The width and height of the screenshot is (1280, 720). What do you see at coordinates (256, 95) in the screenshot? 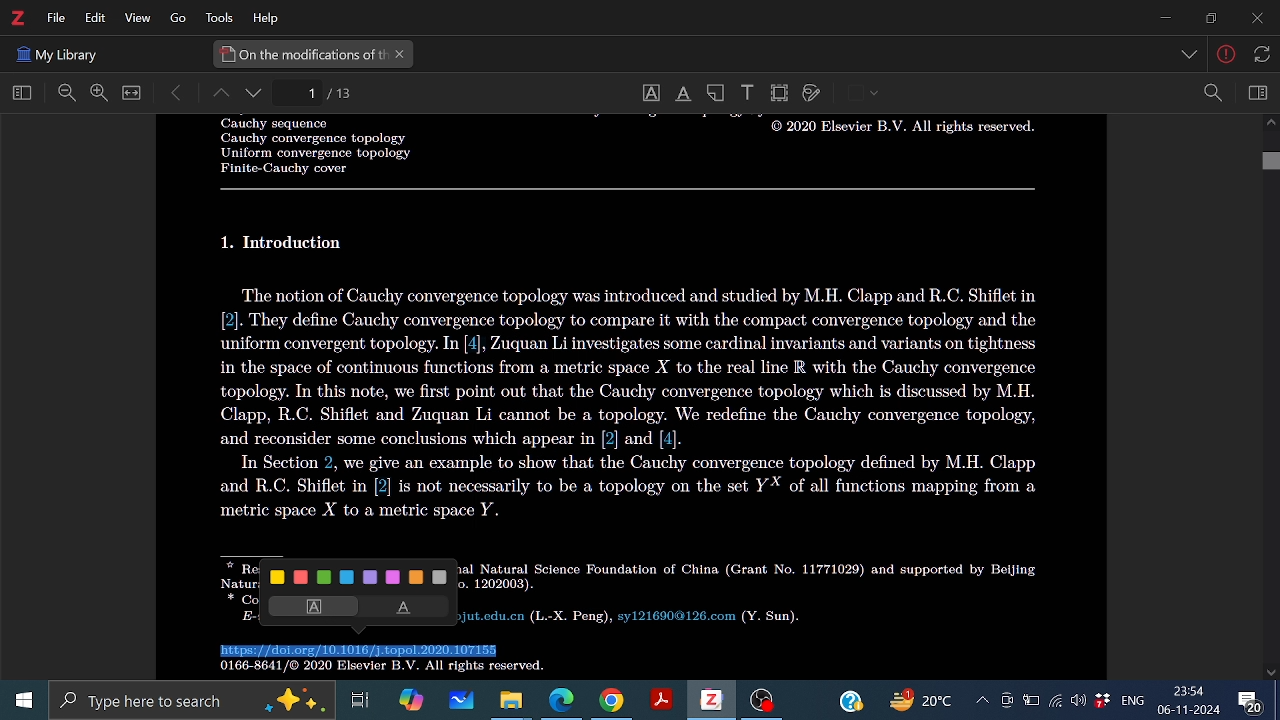
I see `page down` at bounding box center [256, 95].